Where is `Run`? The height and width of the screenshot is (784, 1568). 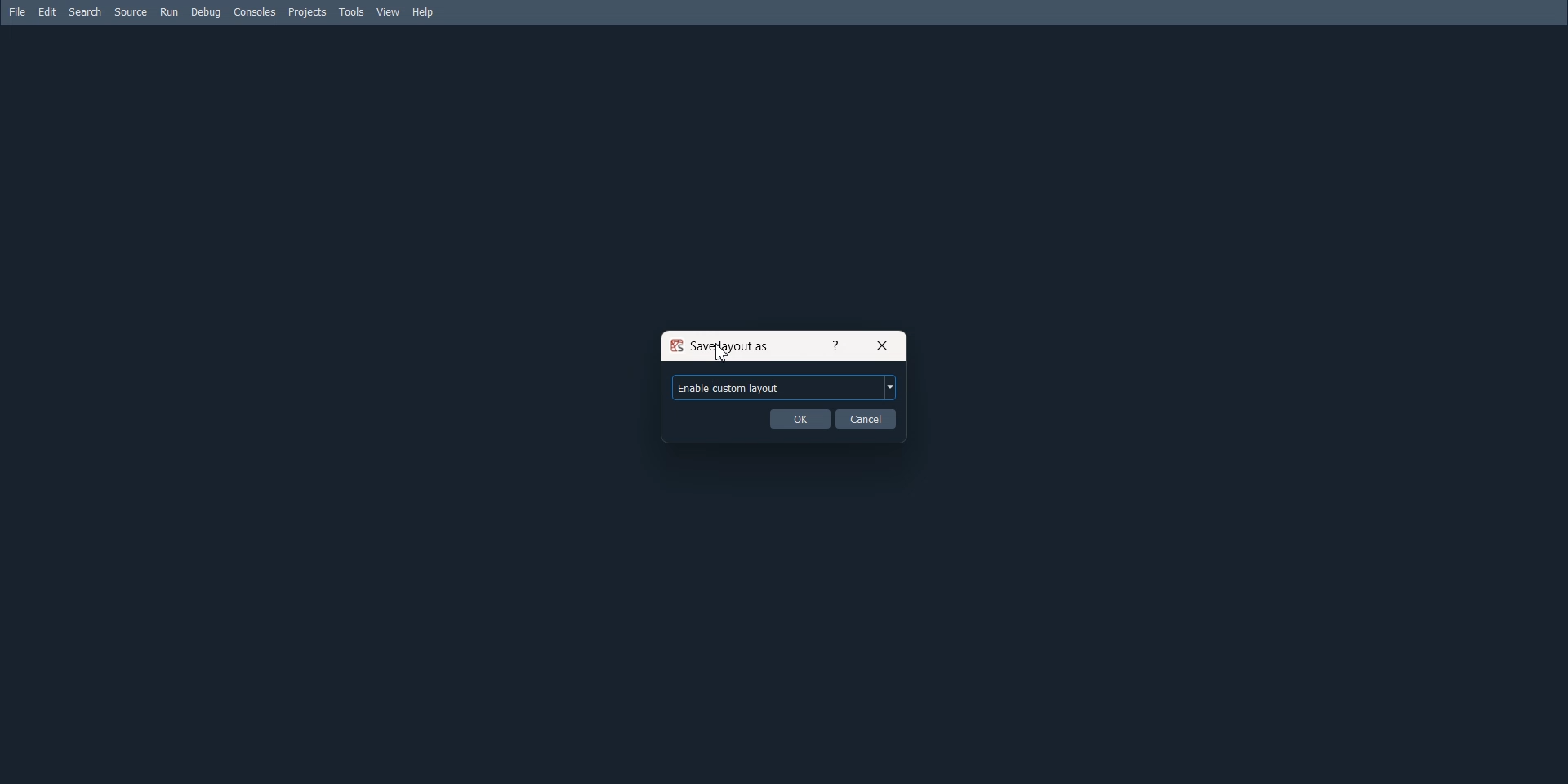 Run is located at coordinates (169, 11).